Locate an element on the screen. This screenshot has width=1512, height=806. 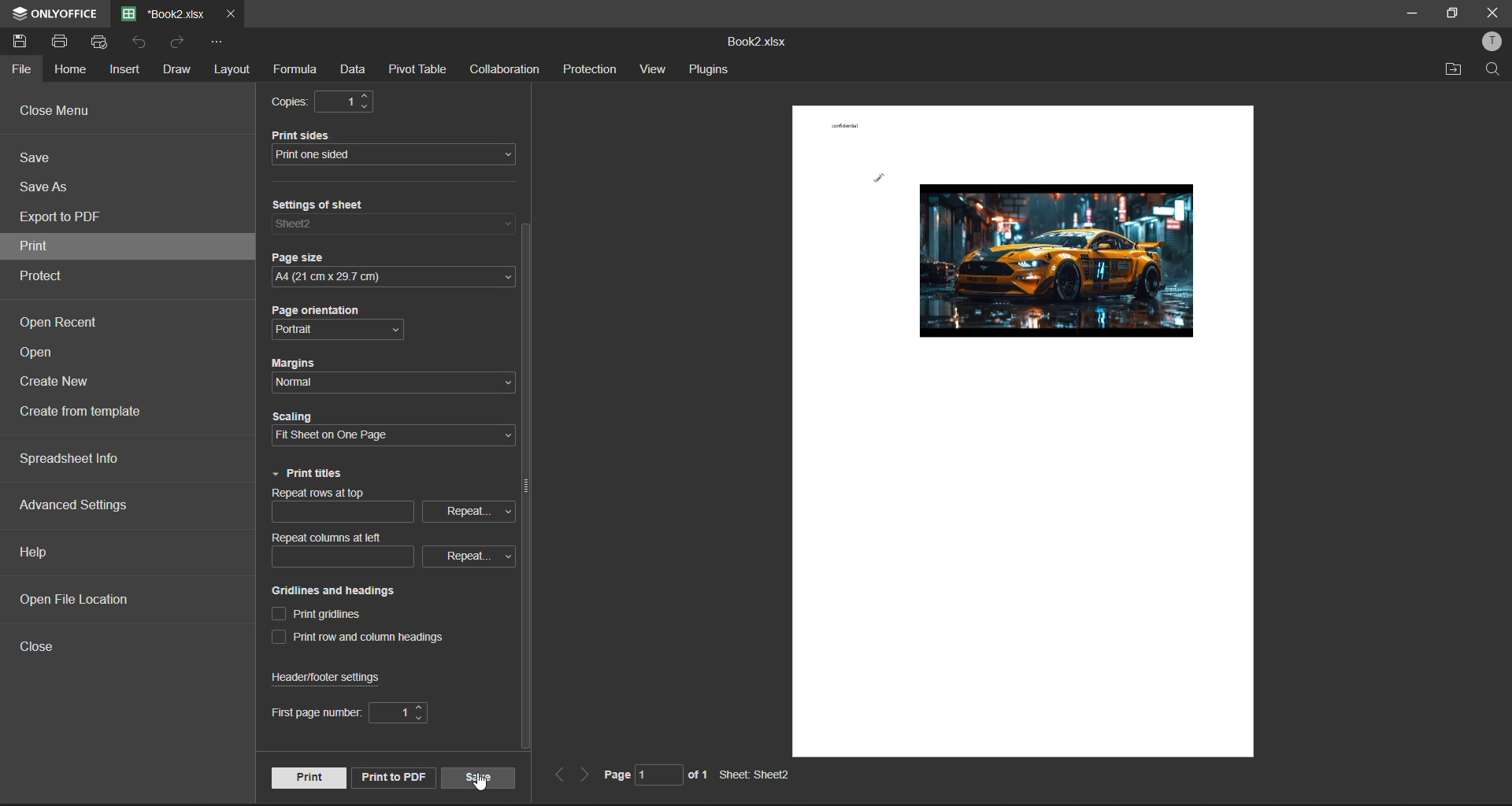
page number is located at coordinates (654, 778).